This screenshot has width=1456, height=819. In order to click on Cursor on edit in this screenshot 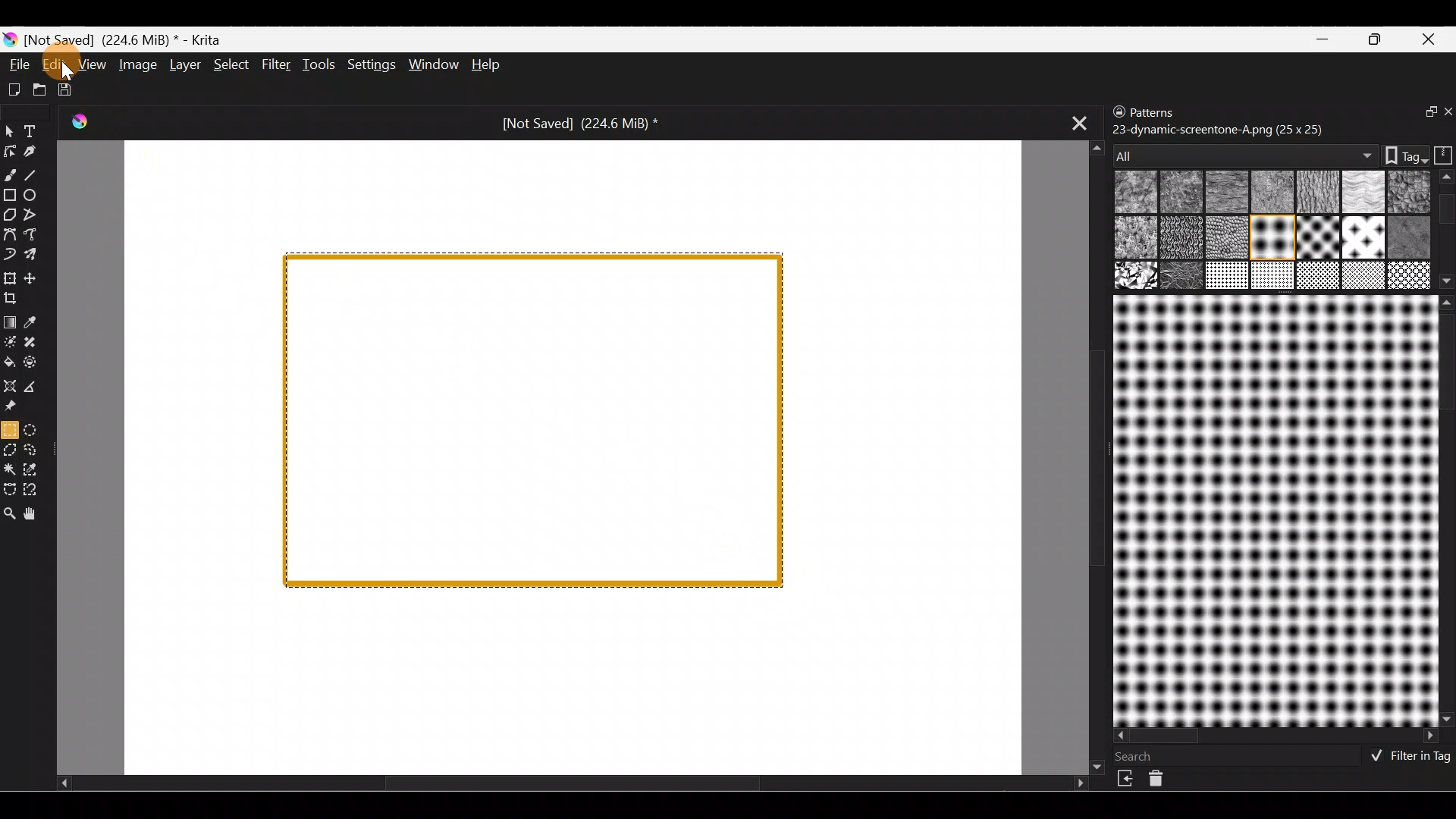, I will do `click(64, 71)`.